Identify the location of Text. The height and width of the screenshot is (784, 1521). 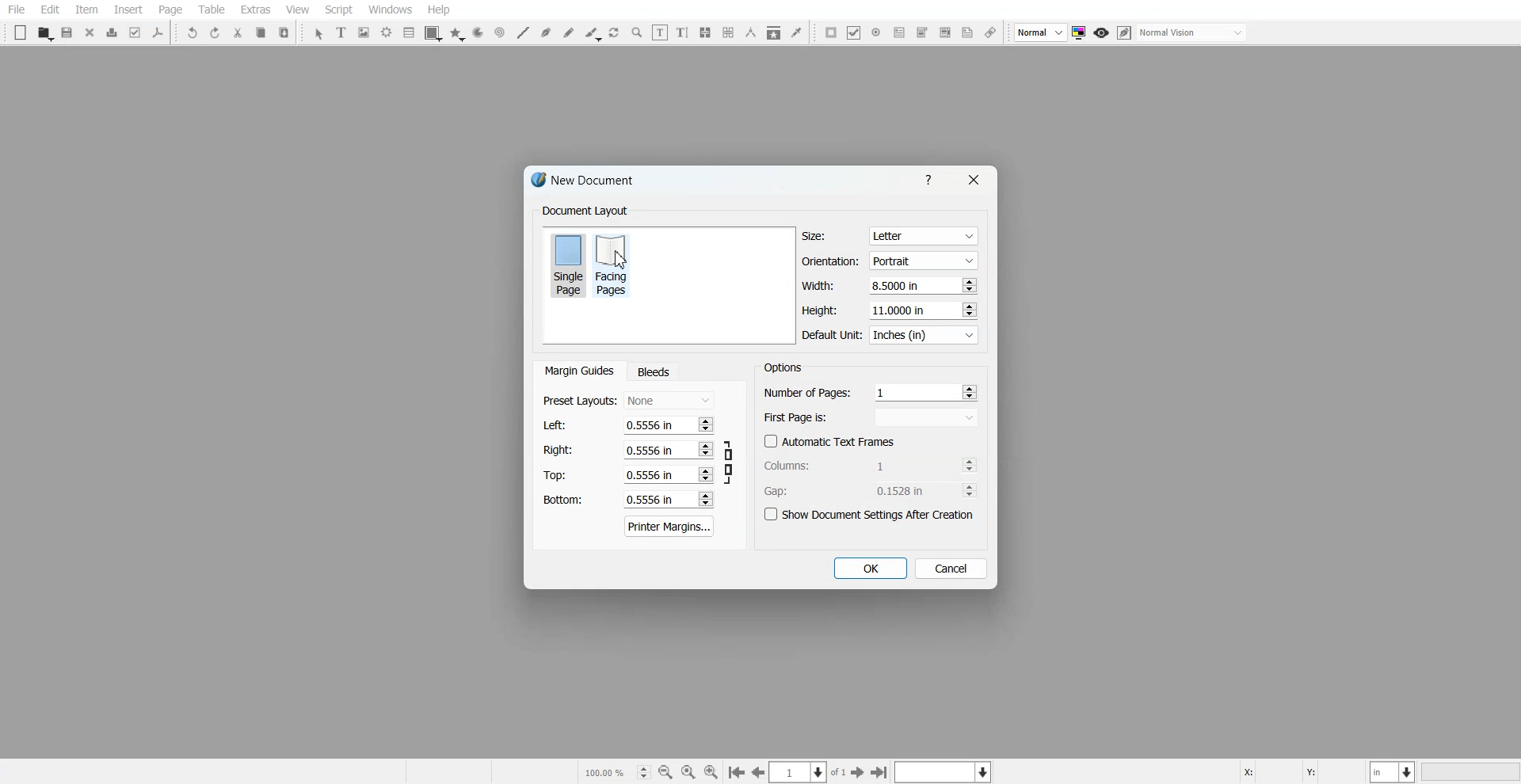
(783, 367).